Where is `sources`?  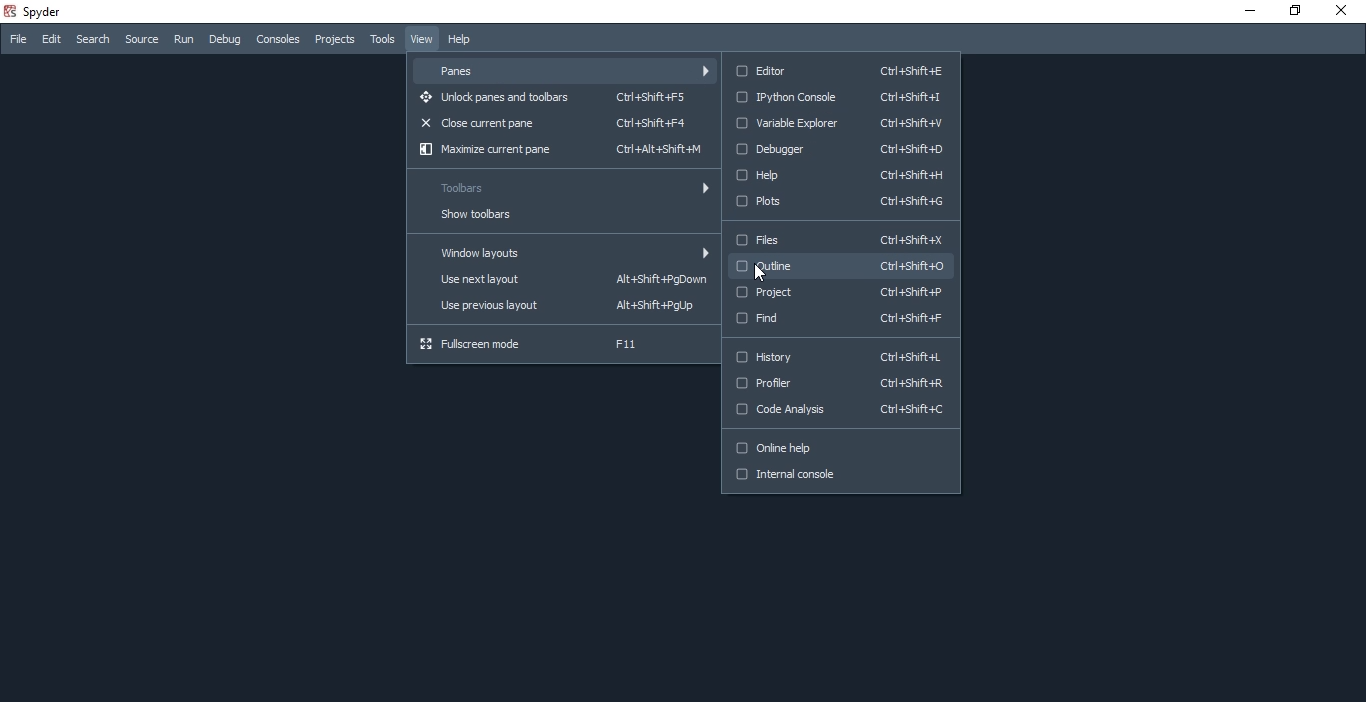 sources is located at coordinates (139, 39).